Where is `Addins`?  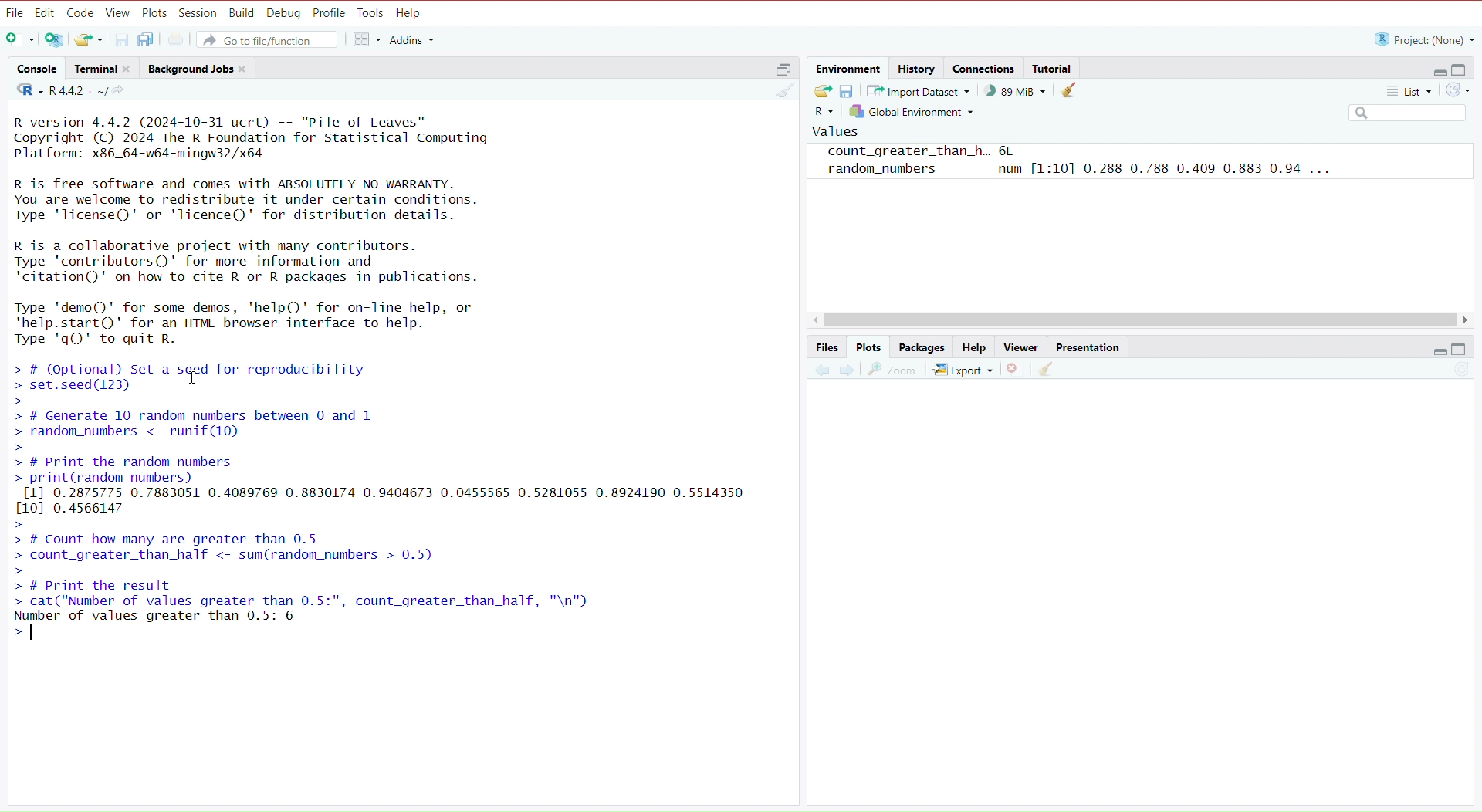 Addins is located at coordinates (411, 41).